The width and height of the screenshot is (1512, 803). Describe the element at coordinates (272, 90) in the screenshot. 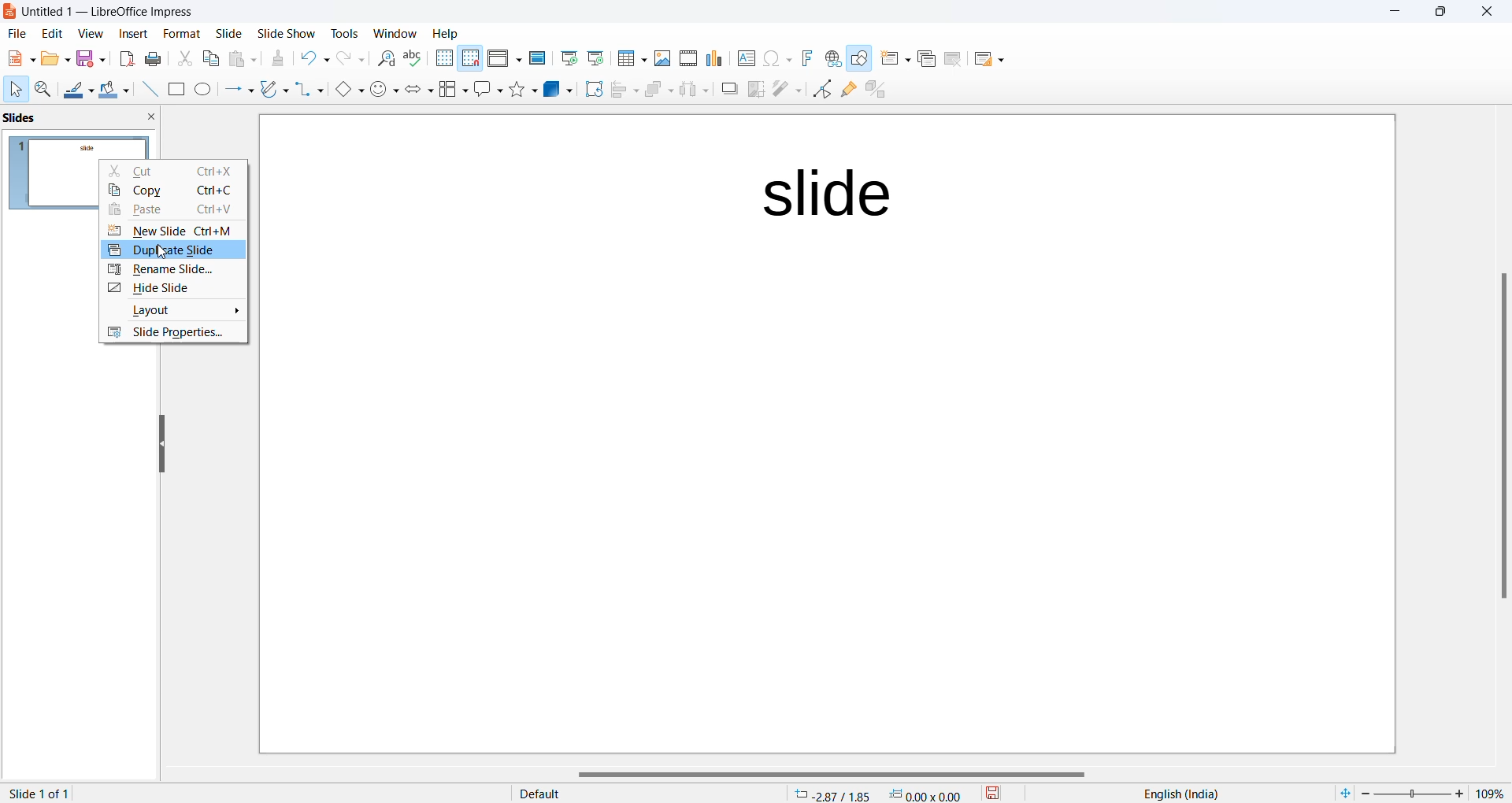

I see `curve and polygons` at that location.